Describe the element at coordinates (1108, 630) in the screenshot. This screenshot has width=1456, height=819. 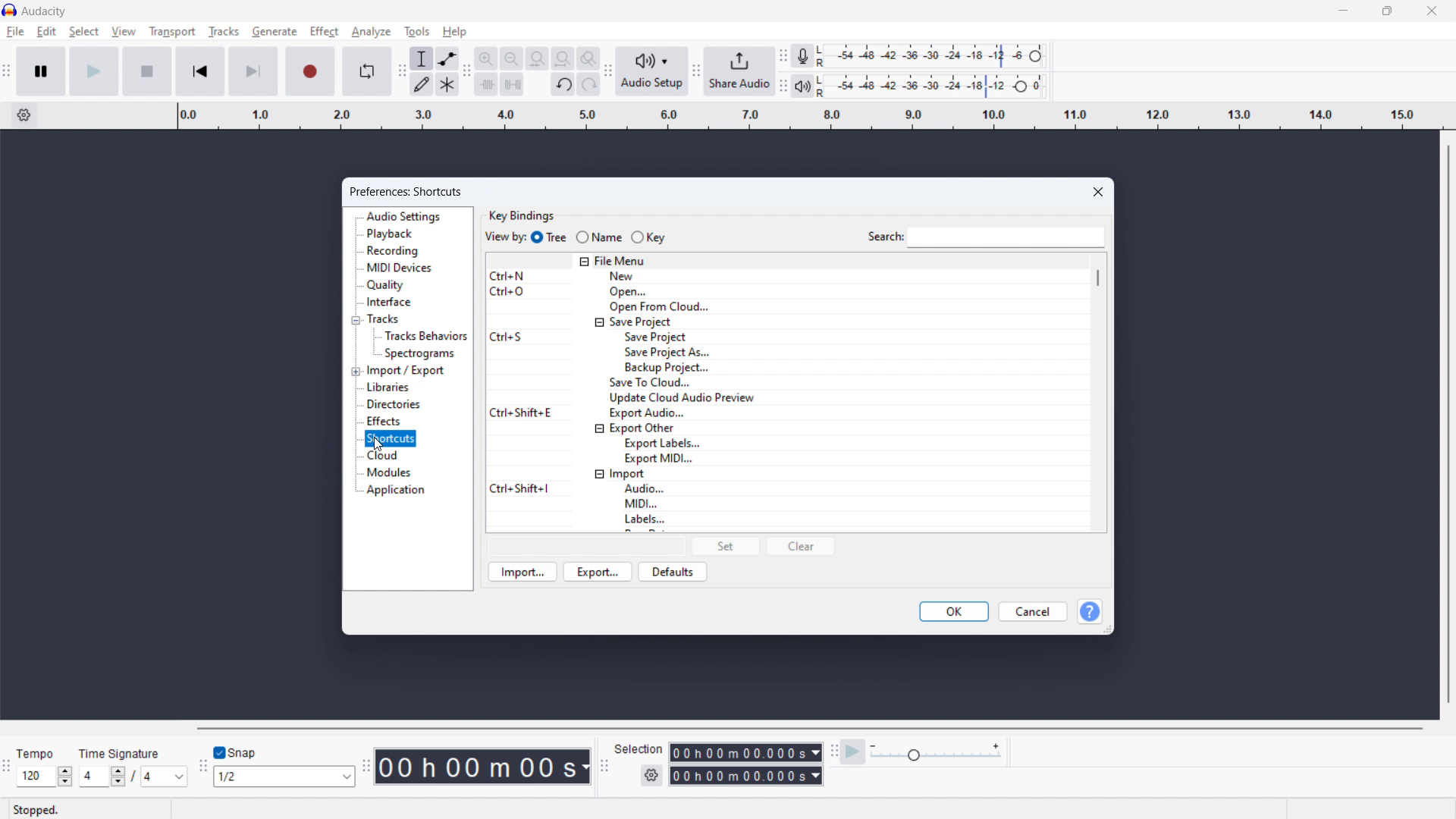
I see `resize` at that location.